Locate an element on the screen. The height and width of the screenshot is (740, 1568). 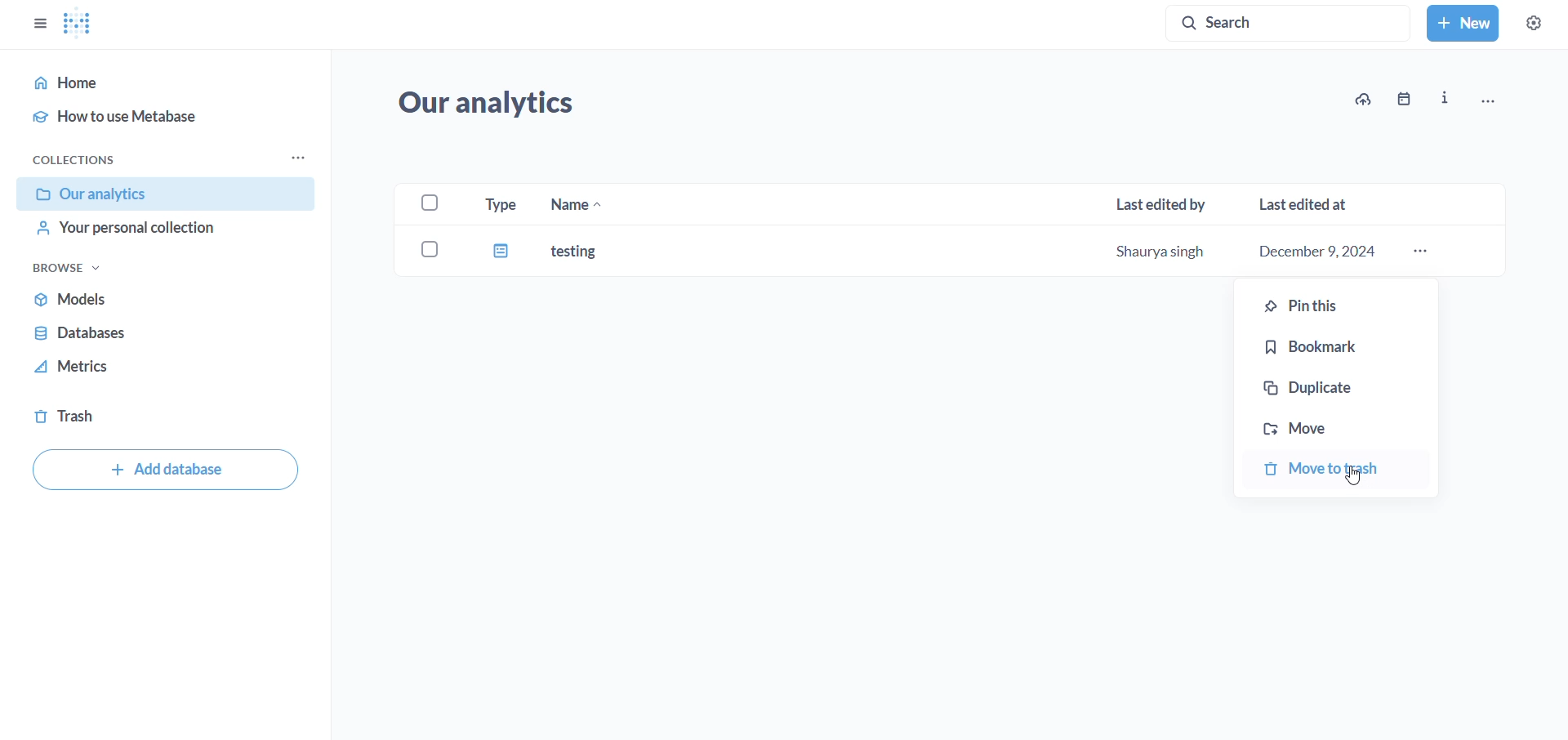
type is located at coordinates (500, 203).